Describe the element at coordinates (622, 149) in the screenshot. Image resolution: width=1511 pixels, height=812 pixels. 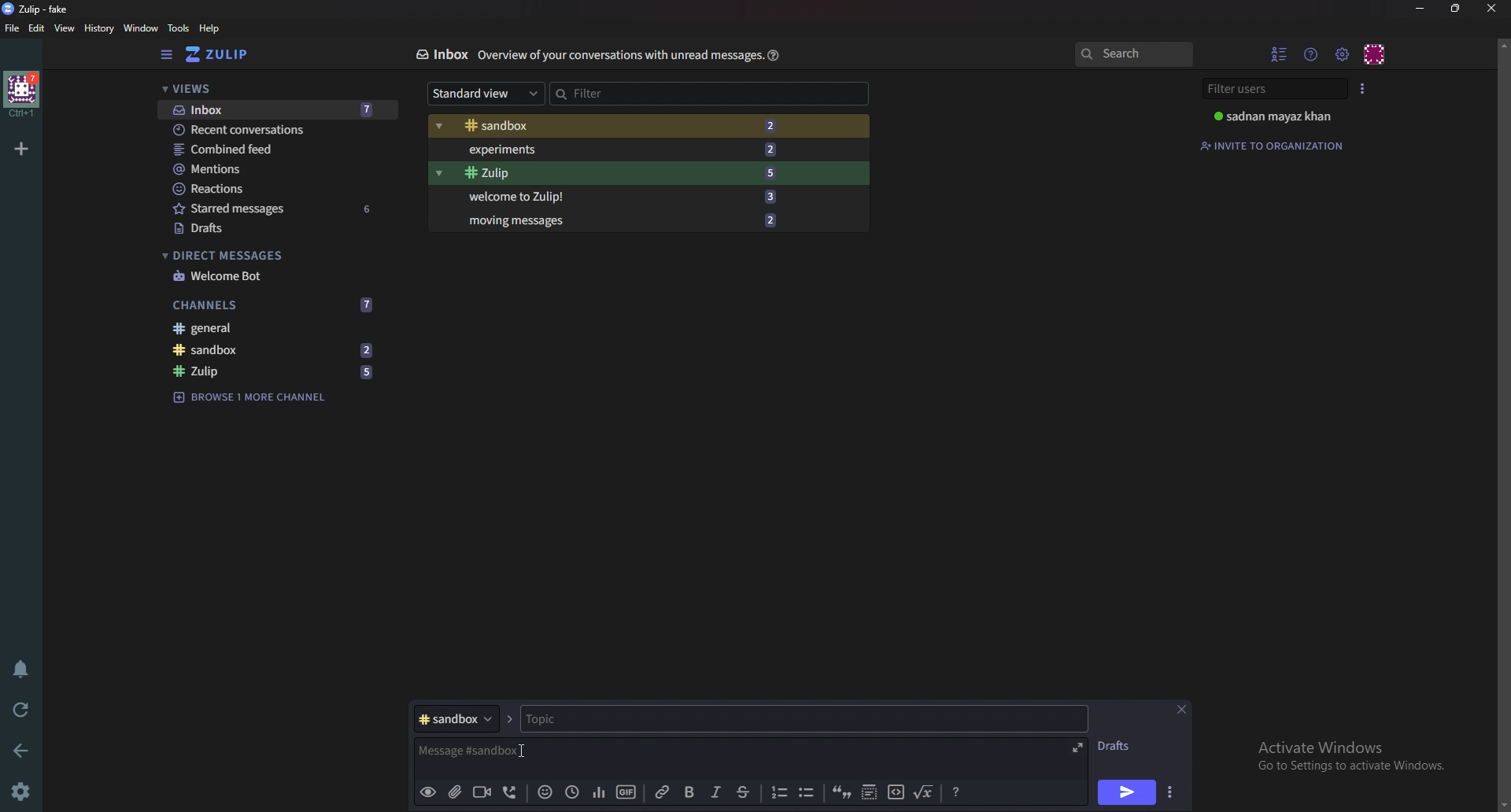
I see `Experiments` at that location.